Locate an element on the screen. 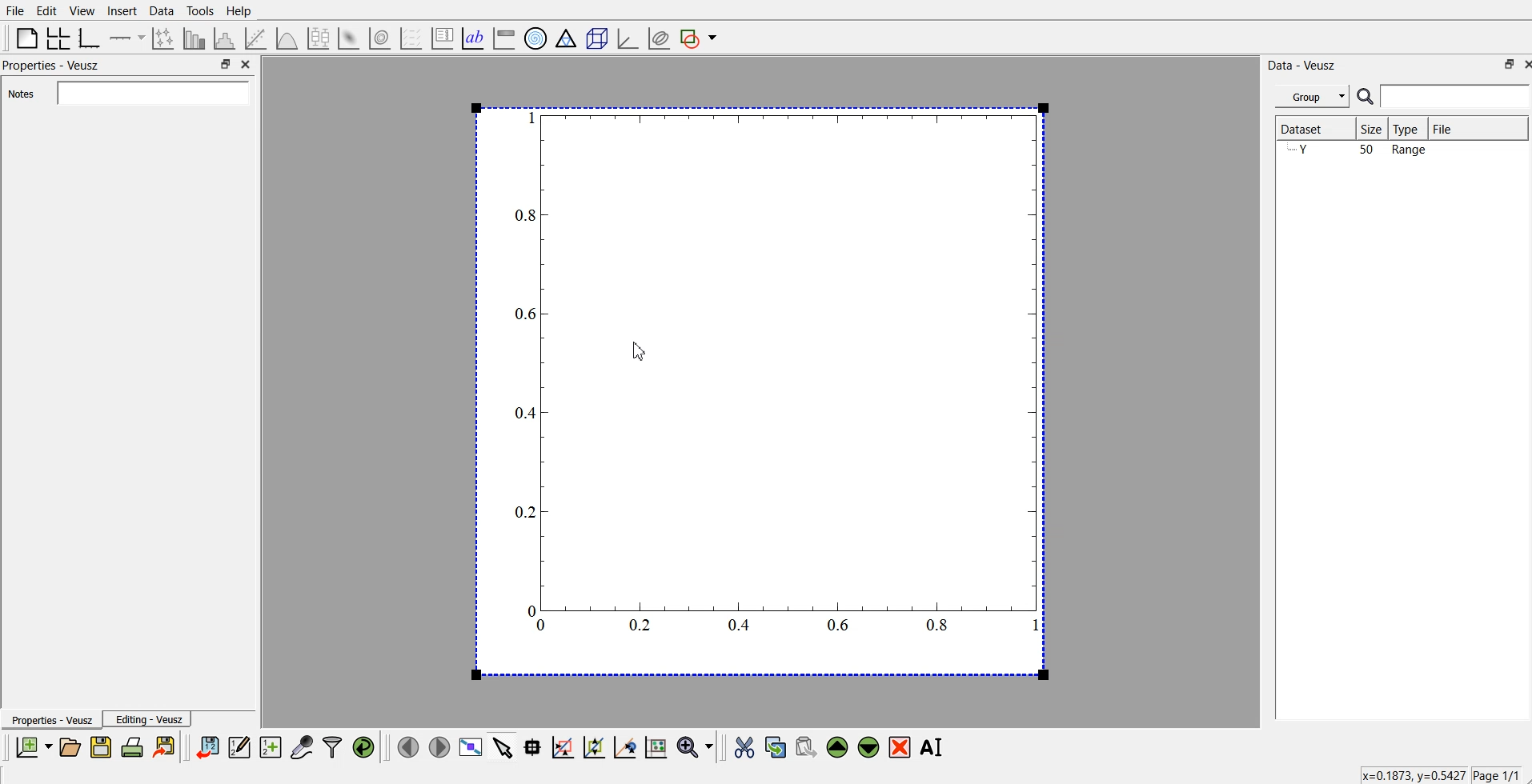 The width and height of the screenshot is (1532, 784). base graphs is located at coordinates (92, 36).